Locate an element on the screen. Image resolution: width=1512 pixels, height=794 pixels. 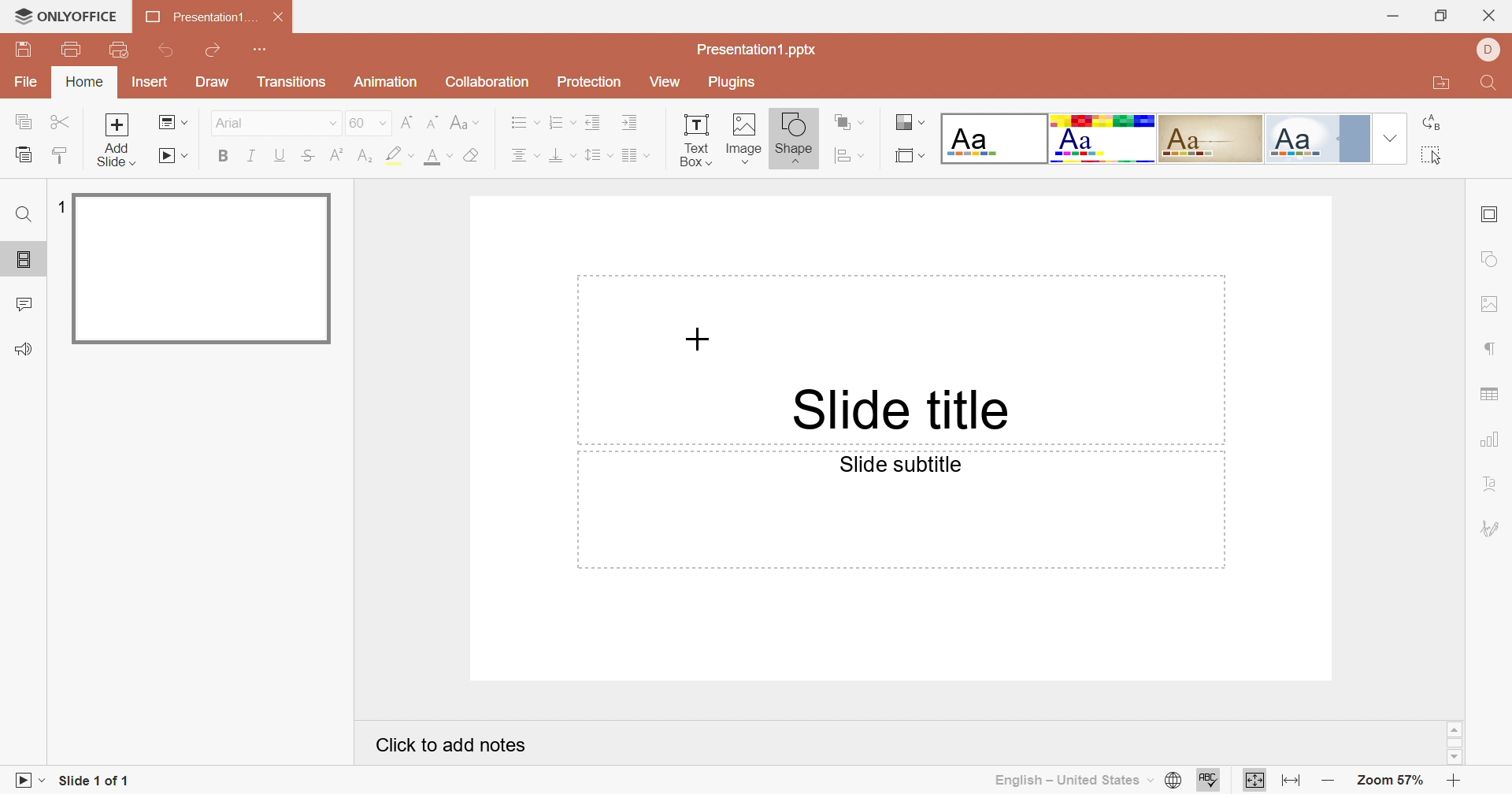
Save is located at coordinates (22, 47).